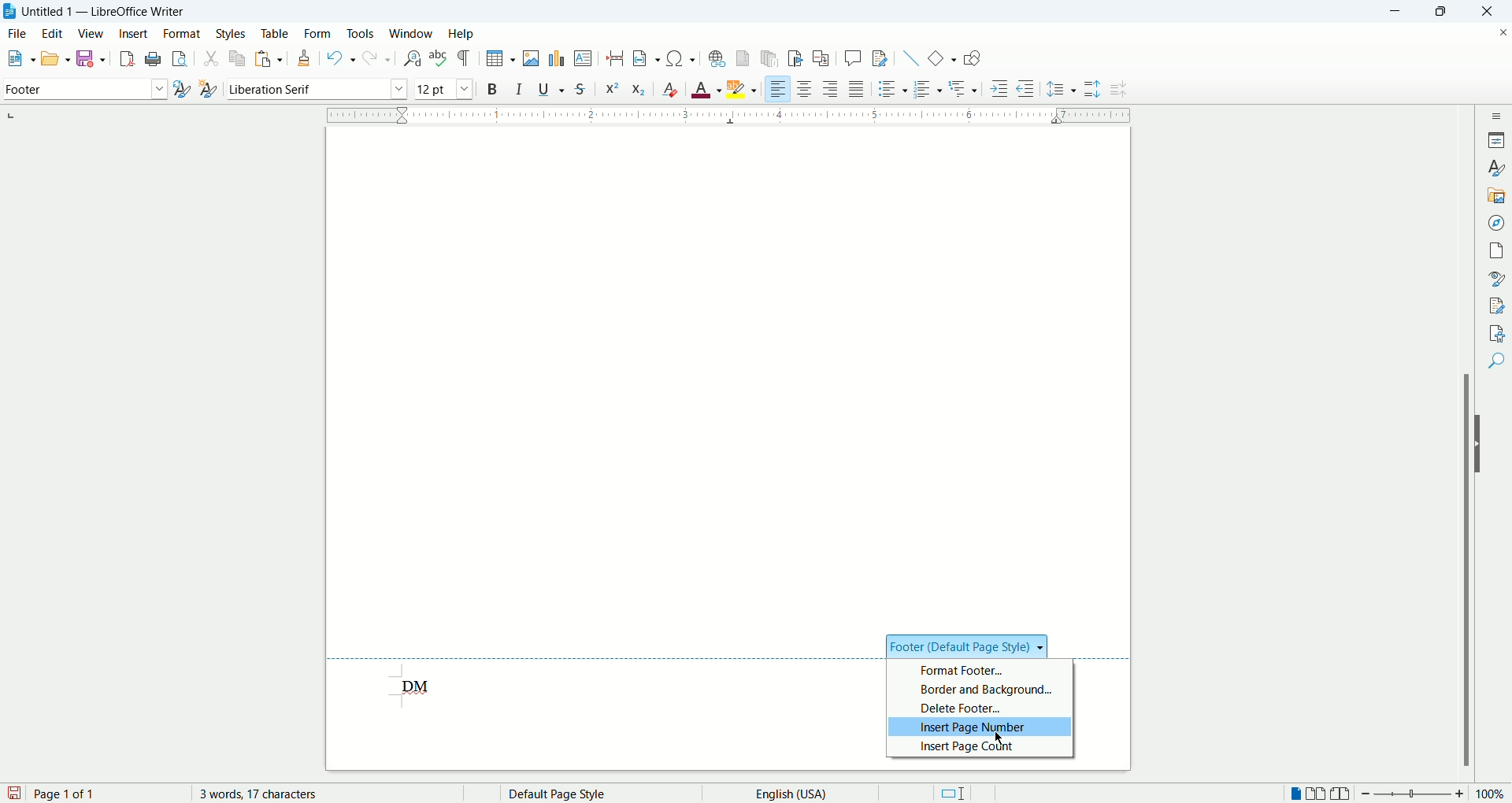 This screenshot has width=1512, height=803. I want to click on align center, so click(809, 90).